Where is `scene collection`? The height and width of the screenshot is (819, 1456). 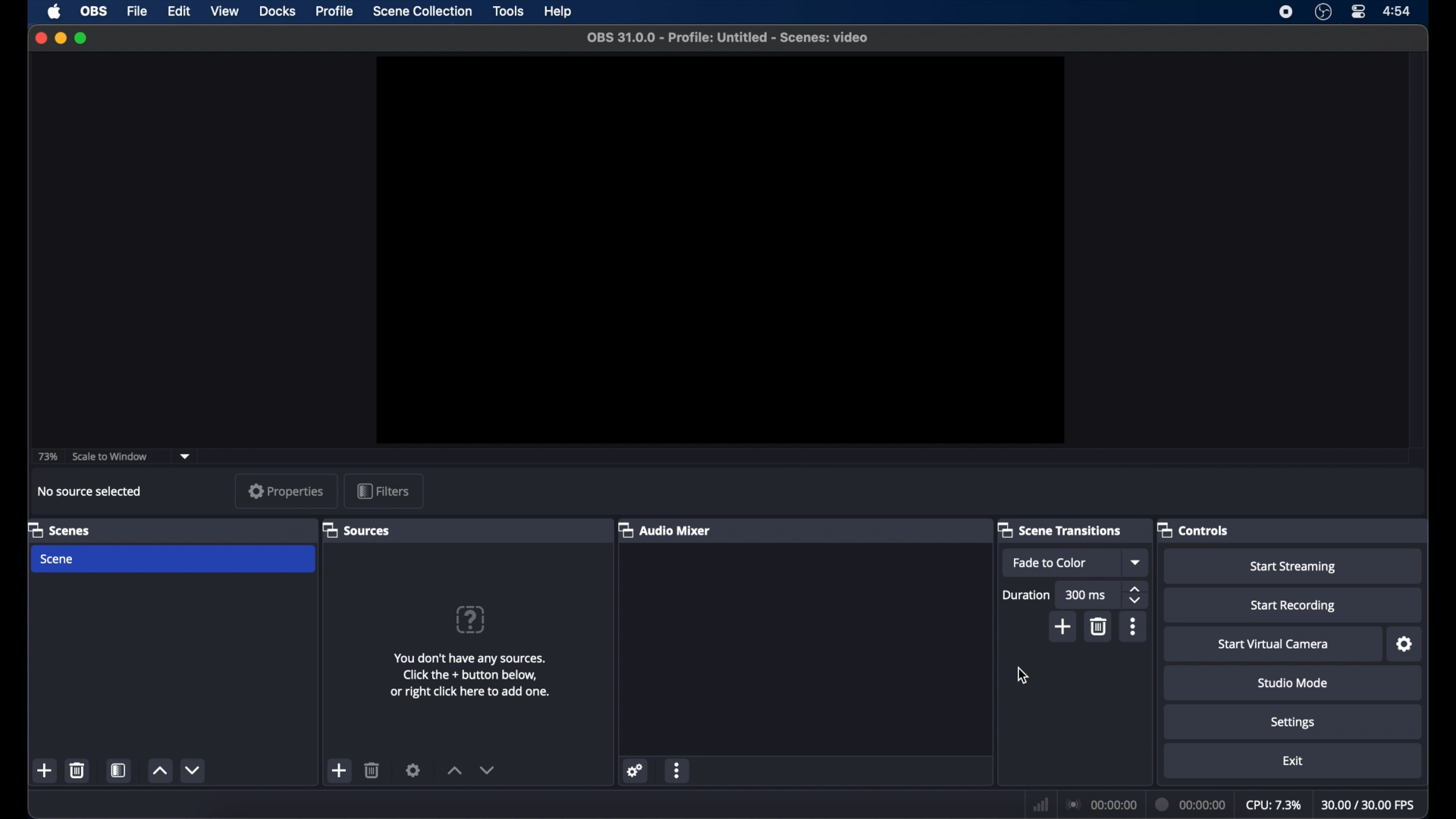 scene collection is located at coordinates (422, 11).